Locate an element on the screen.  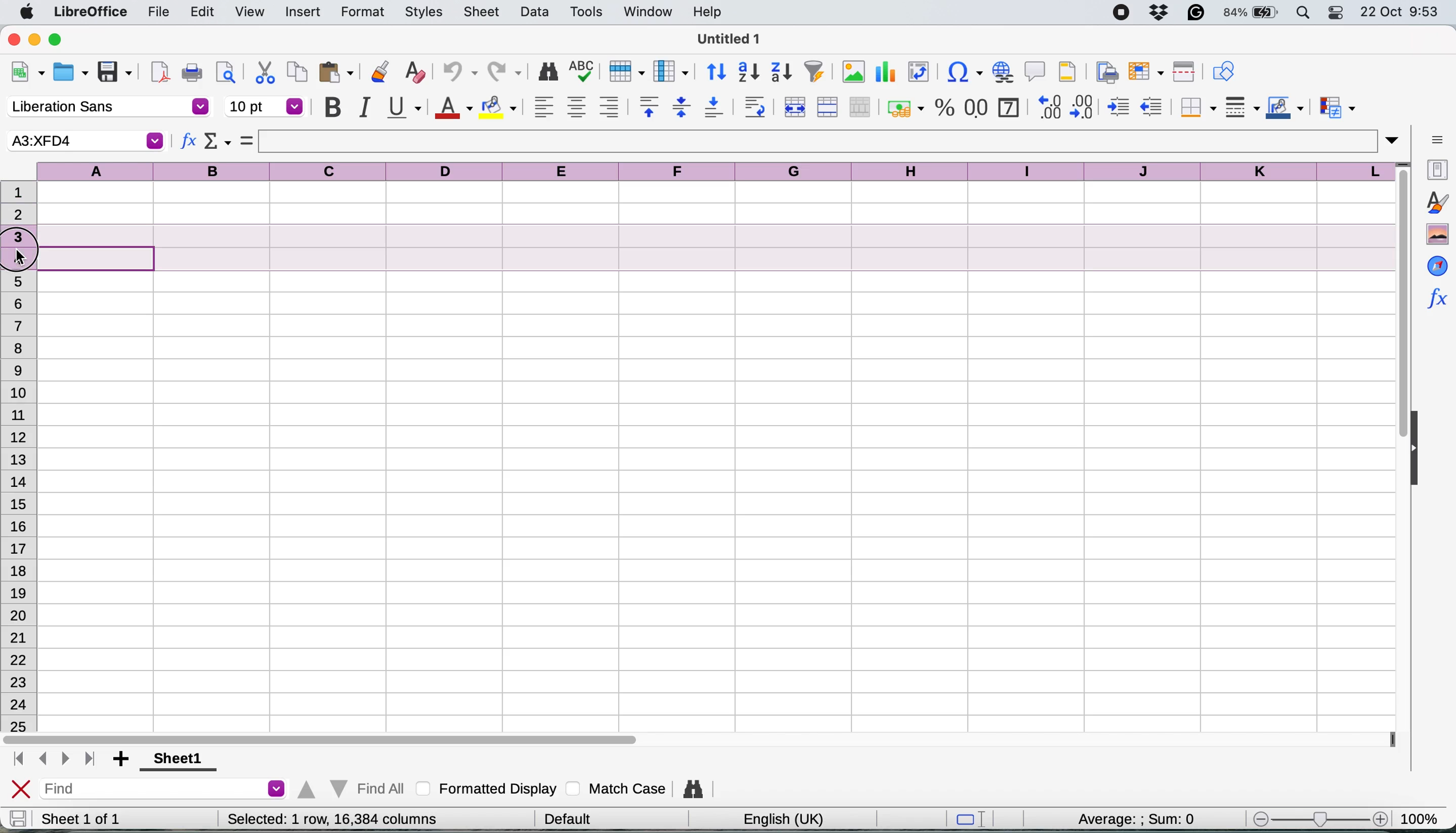
view is located at coordinates (249, 12).